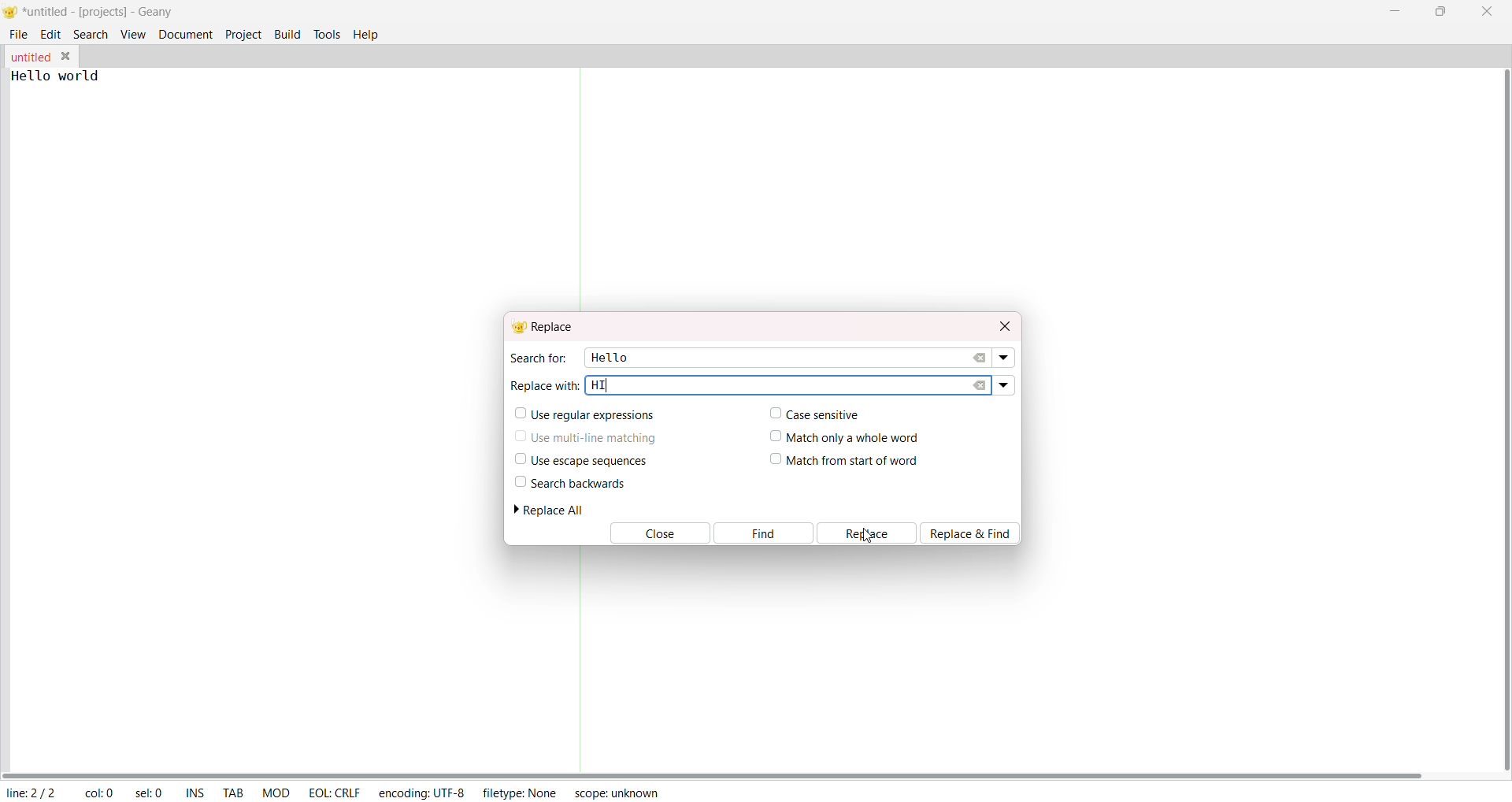 The width and height of the screenshot is (1512, 802). Describe the element at coordinates (715, 774) in the screenshot. I see `horizontal scroll bar` at that location.